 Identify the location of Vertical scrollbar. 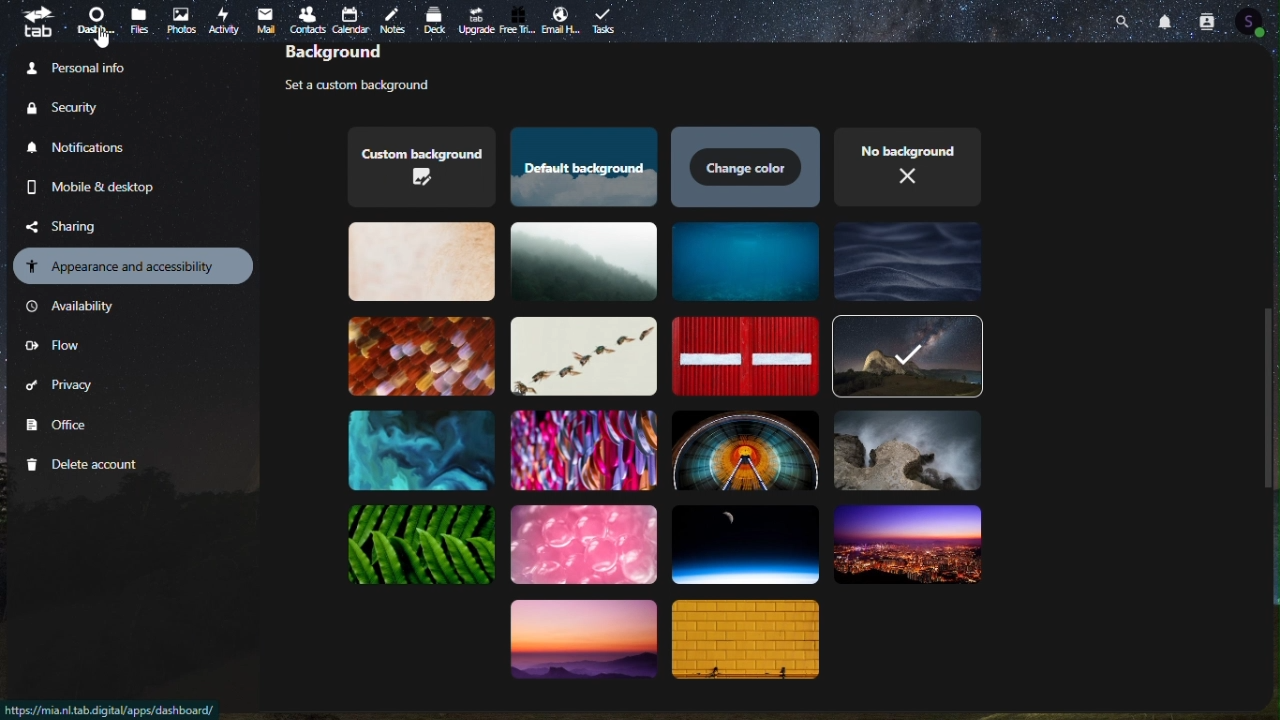
(1269, 394).